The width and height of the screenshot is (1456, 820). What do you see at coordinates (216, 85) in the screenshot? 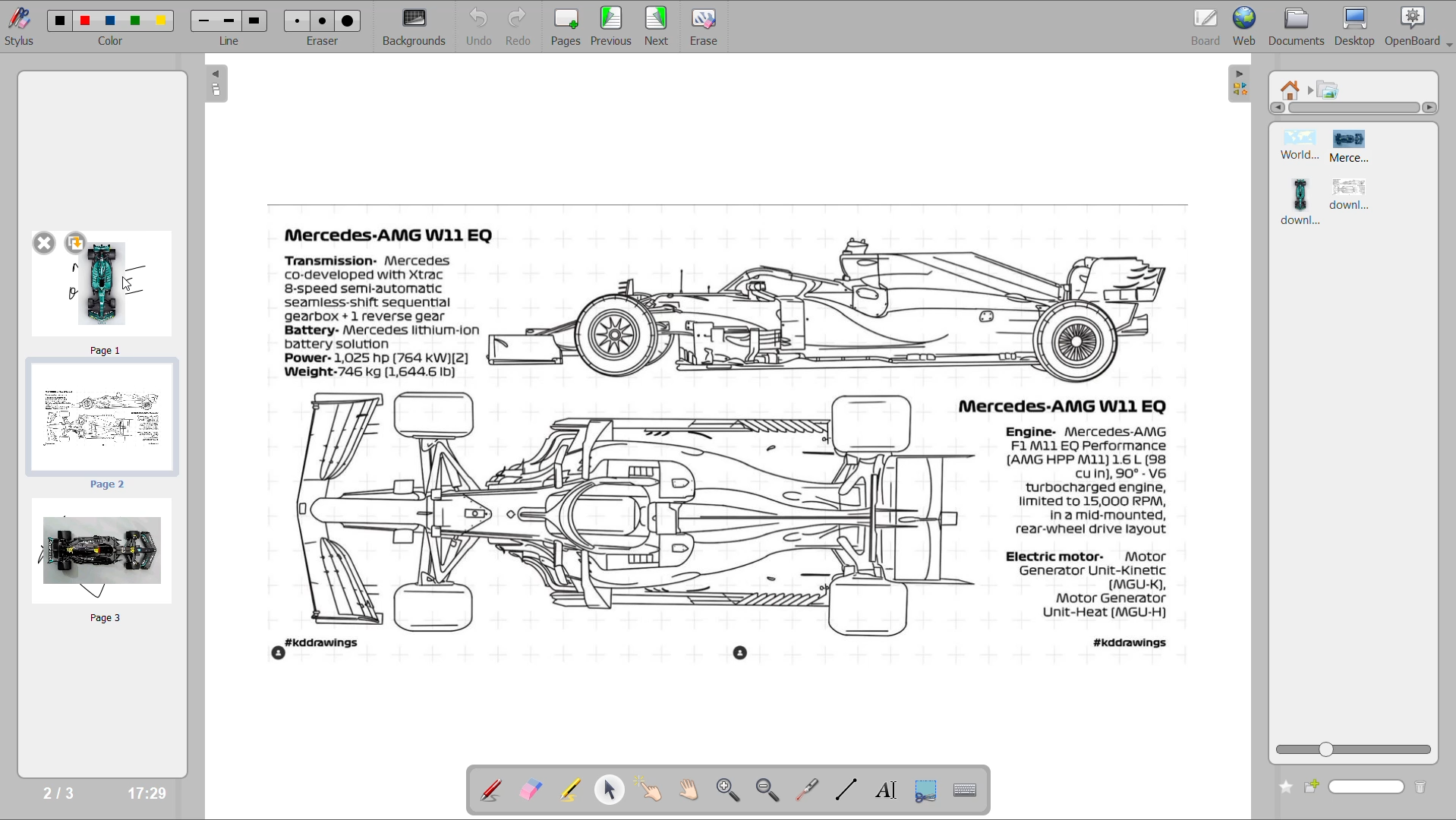
I see `collapse page preview pane` at bounding box center [216, 85].